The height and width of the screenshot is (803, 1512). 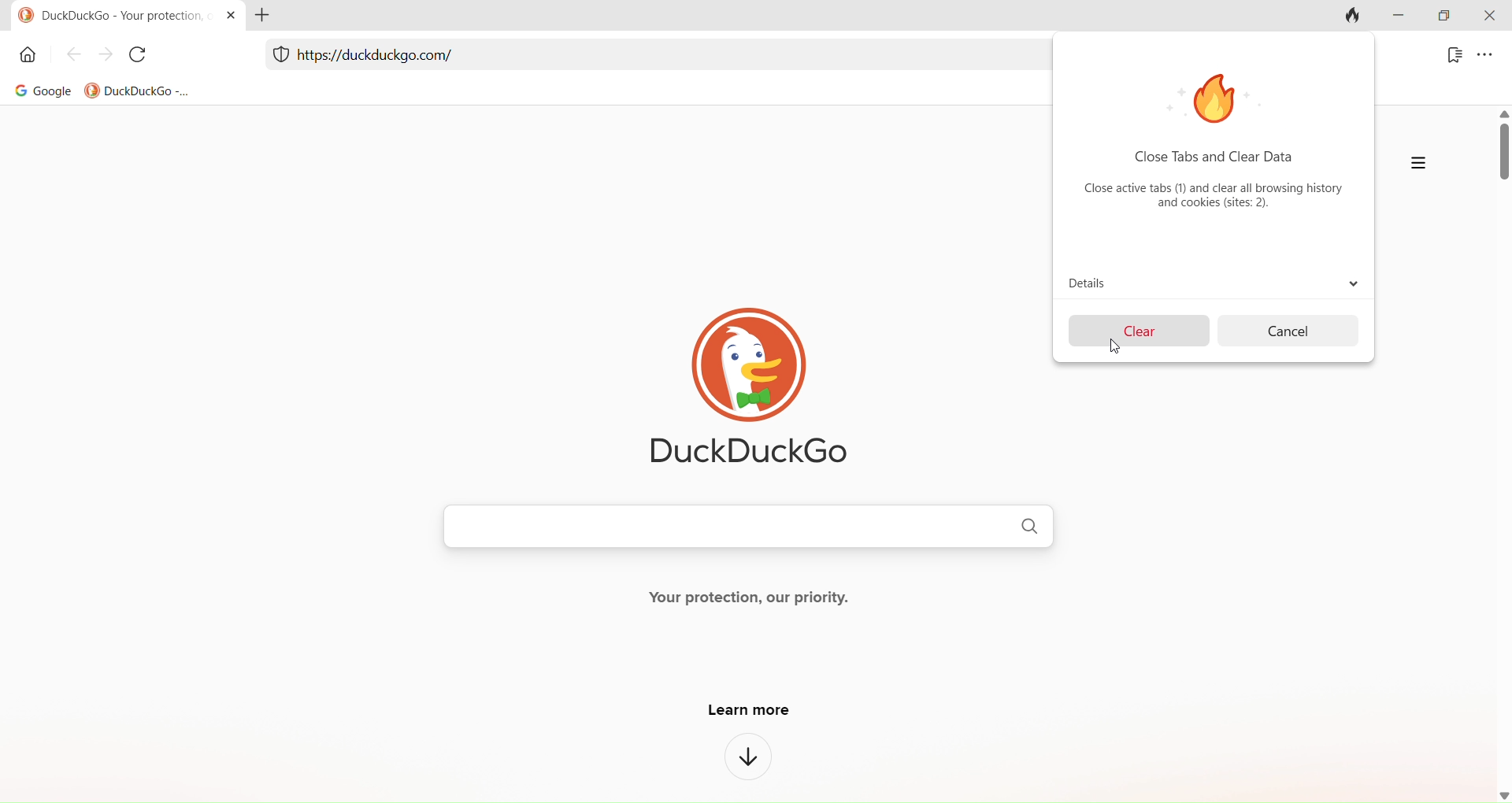 What do you see at coordinates (1415, 164) in the screenshot?
I see `more ` at bounding box center [1415, 164].